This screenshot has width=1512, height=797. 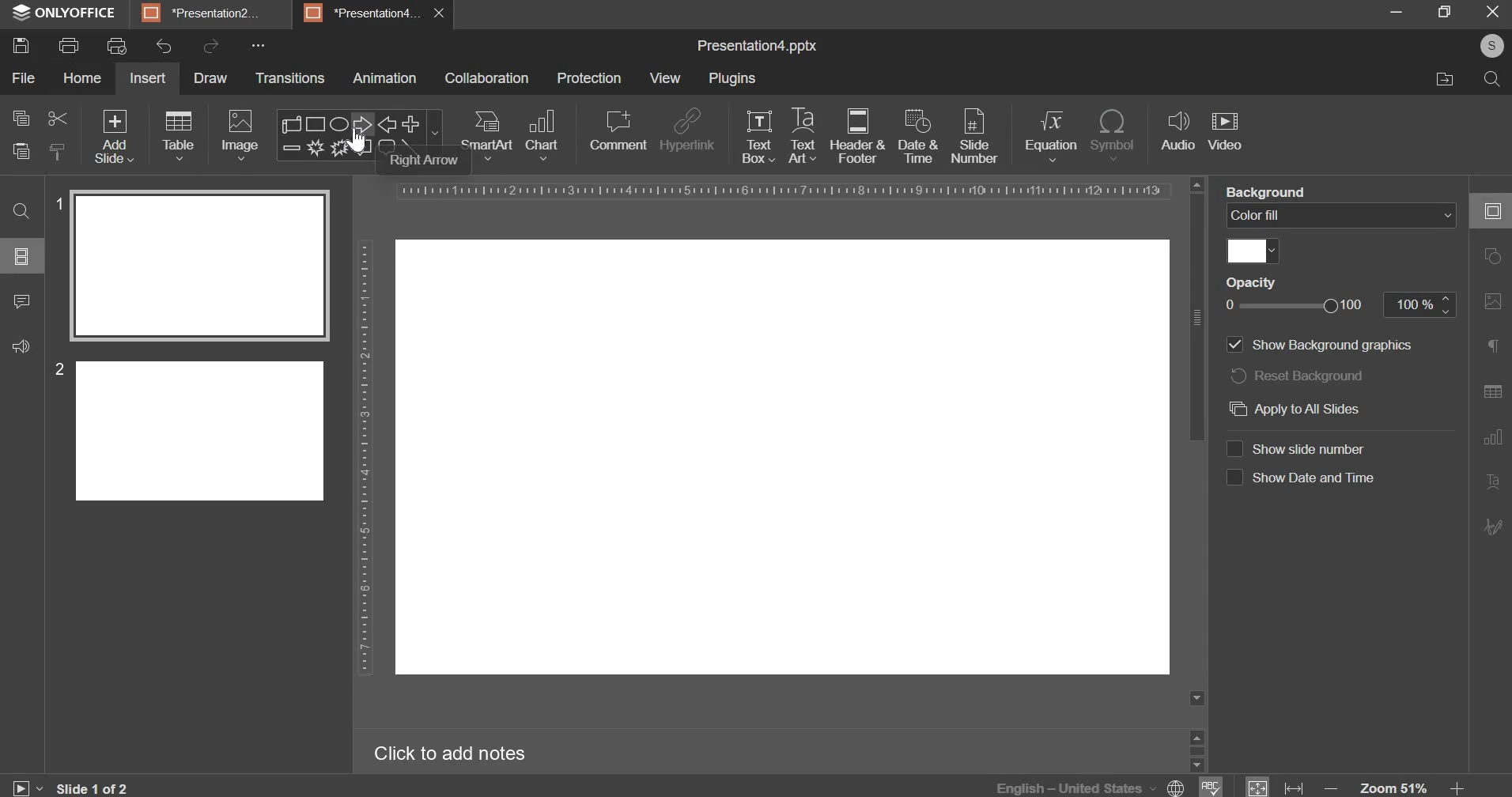 What do you see at coordinates (974, 138) in the screenshot?
I see `slide number` at bounding box center [974, 138].